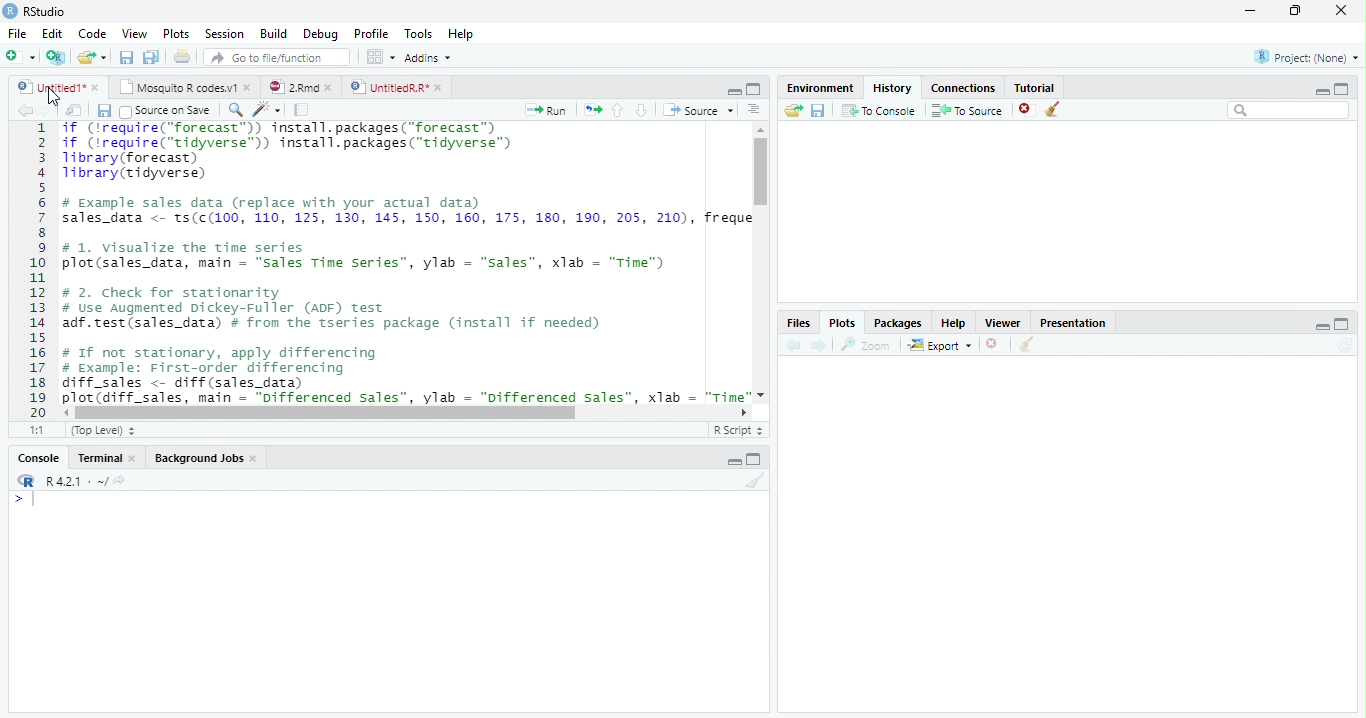 This screenshot has width=1366, height=718. What do you see at coordinates (1034, 88) in the screenshot?
I see `Tutorial` at bounding box center [1034, 88].